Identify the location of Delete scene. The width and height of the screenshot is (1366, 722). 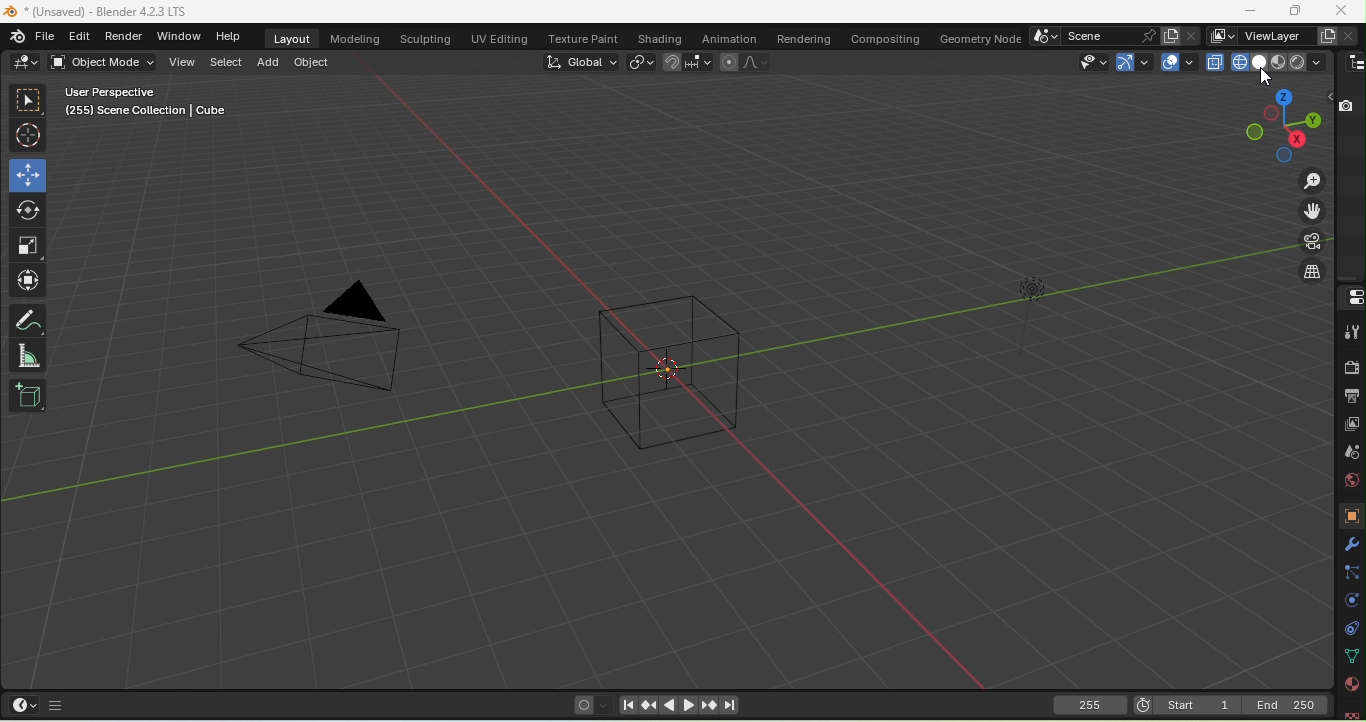
(1192, 35).